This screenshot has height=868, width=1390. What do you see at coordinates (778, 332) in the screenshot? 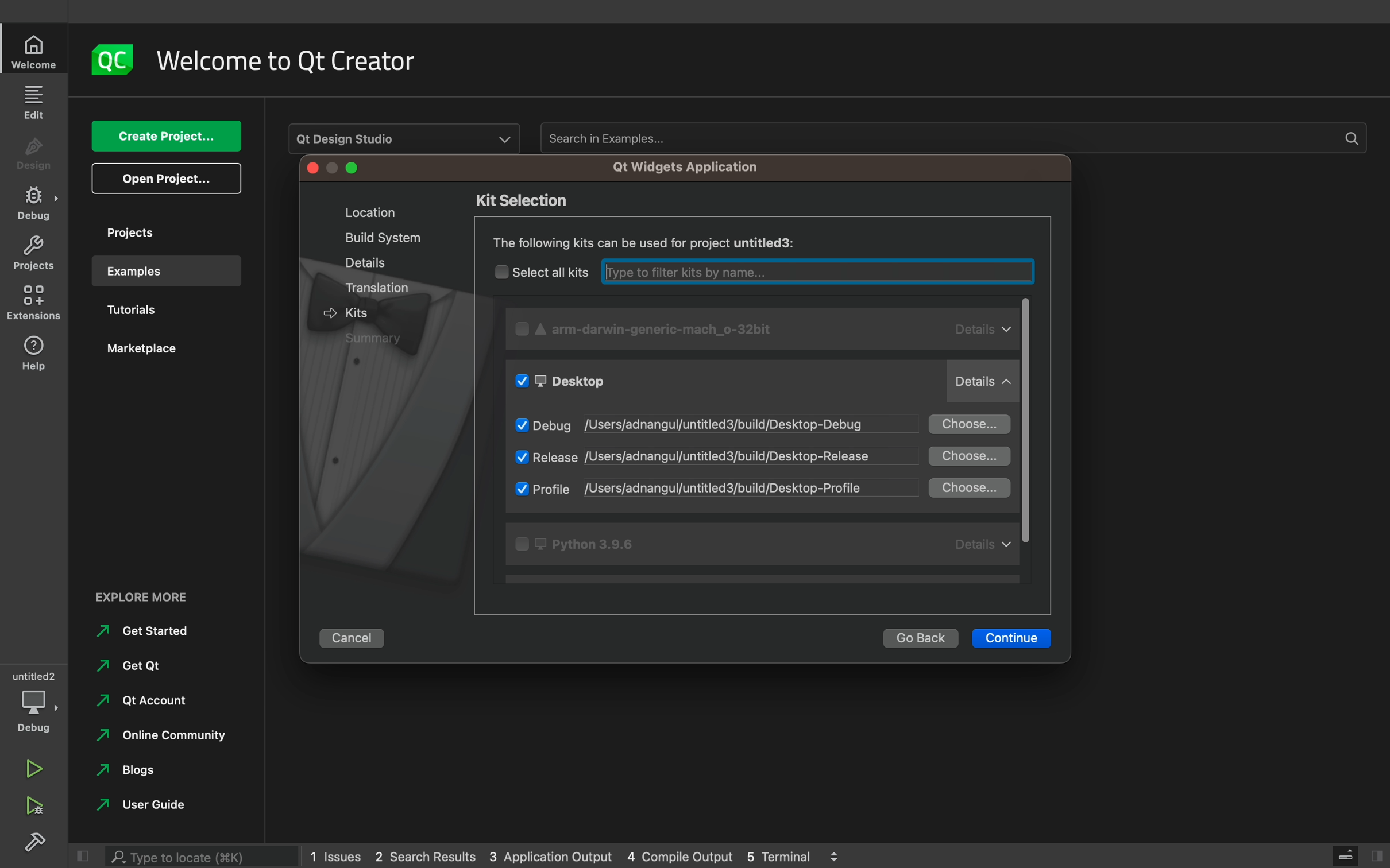
I see `arm-darwin-generic-mach_e-32bit: details dropdown` at bounding box center [778, 332].